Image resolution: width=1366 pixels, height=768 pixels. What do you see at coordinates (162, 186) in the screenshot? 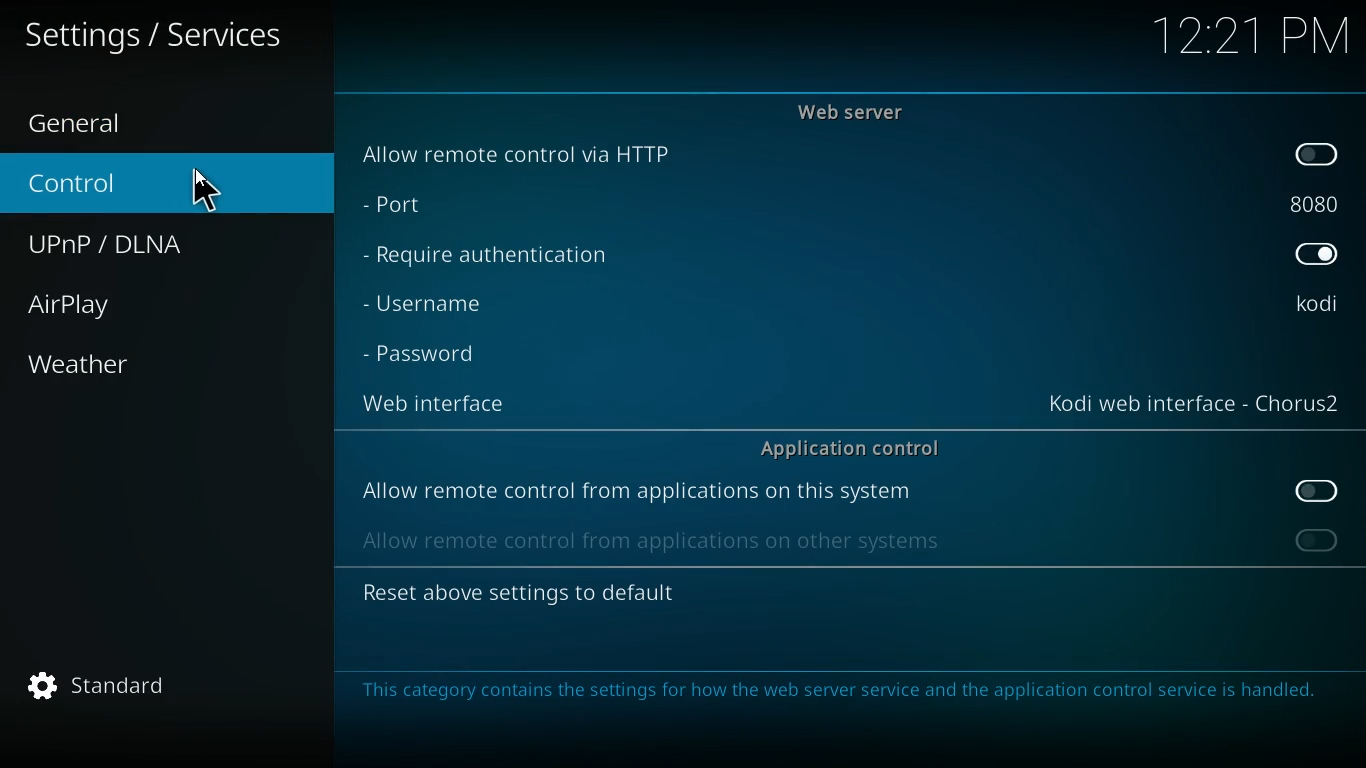
I see `control` at bounding box center [162, 186].